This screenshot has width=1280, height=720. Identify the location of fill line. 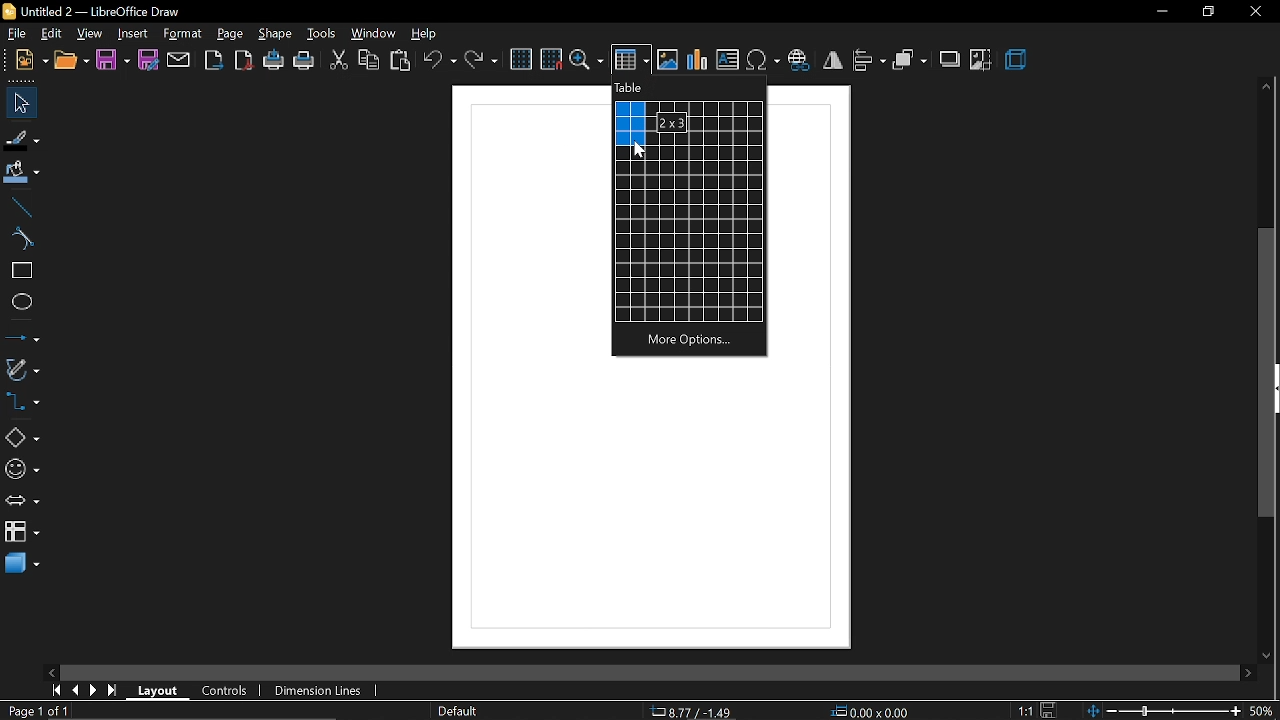
(23, 141).